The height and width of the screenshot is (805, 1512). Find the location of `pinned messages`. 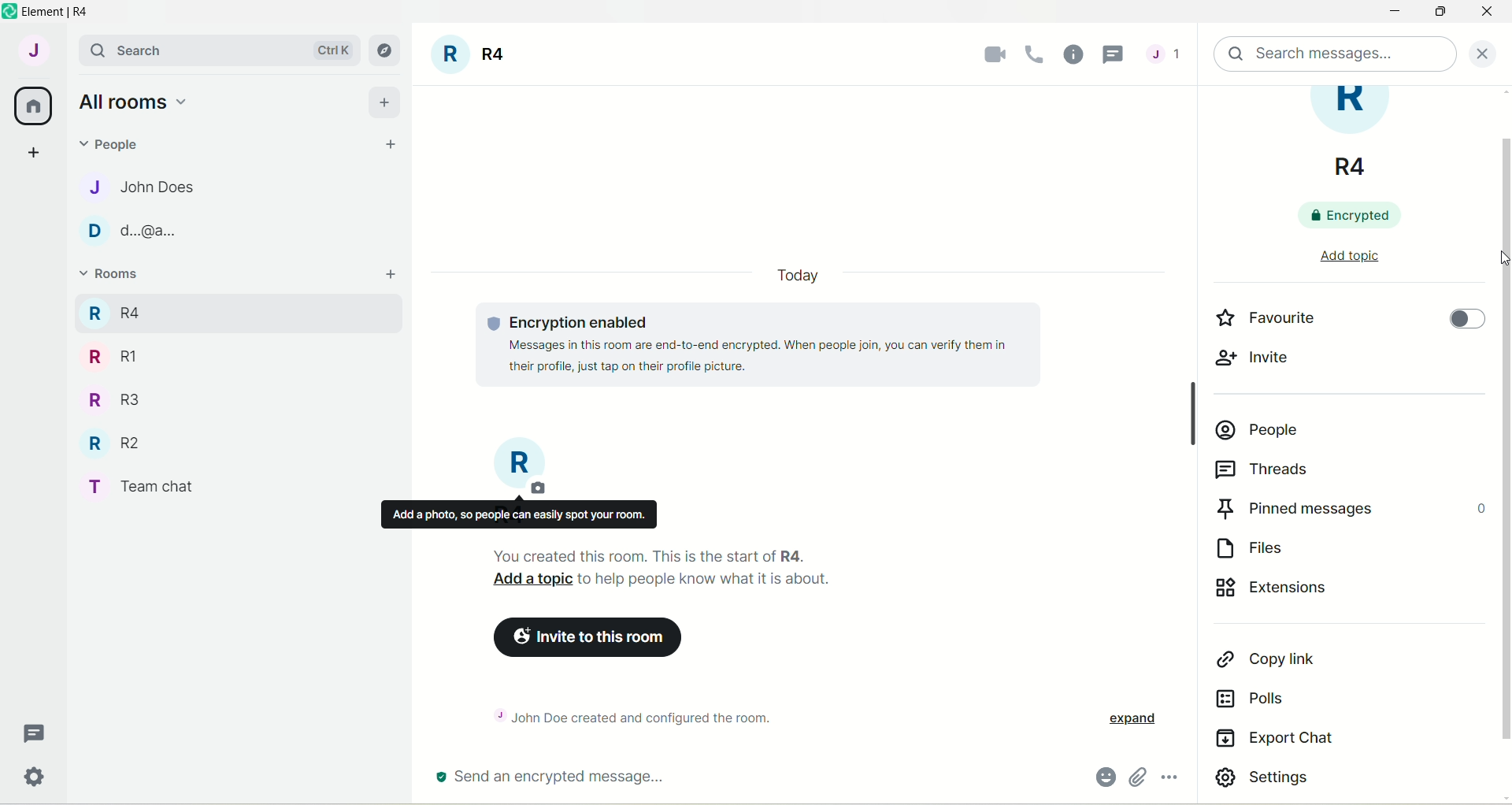

pinned messages is located at coordinates (1350, 506).